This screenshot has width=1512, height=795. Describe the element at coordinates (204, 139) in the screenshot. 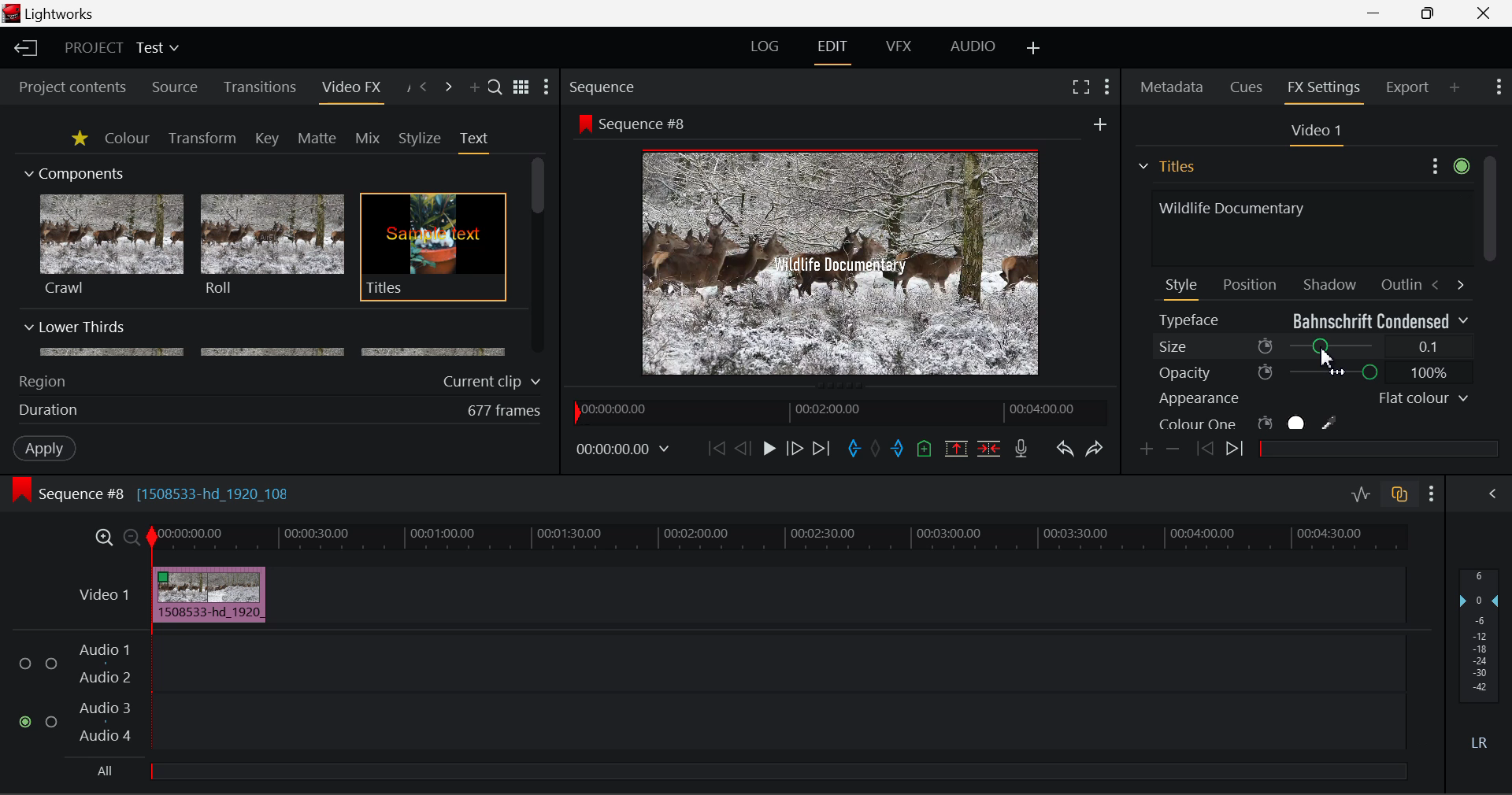

I see `Transform` at that location.